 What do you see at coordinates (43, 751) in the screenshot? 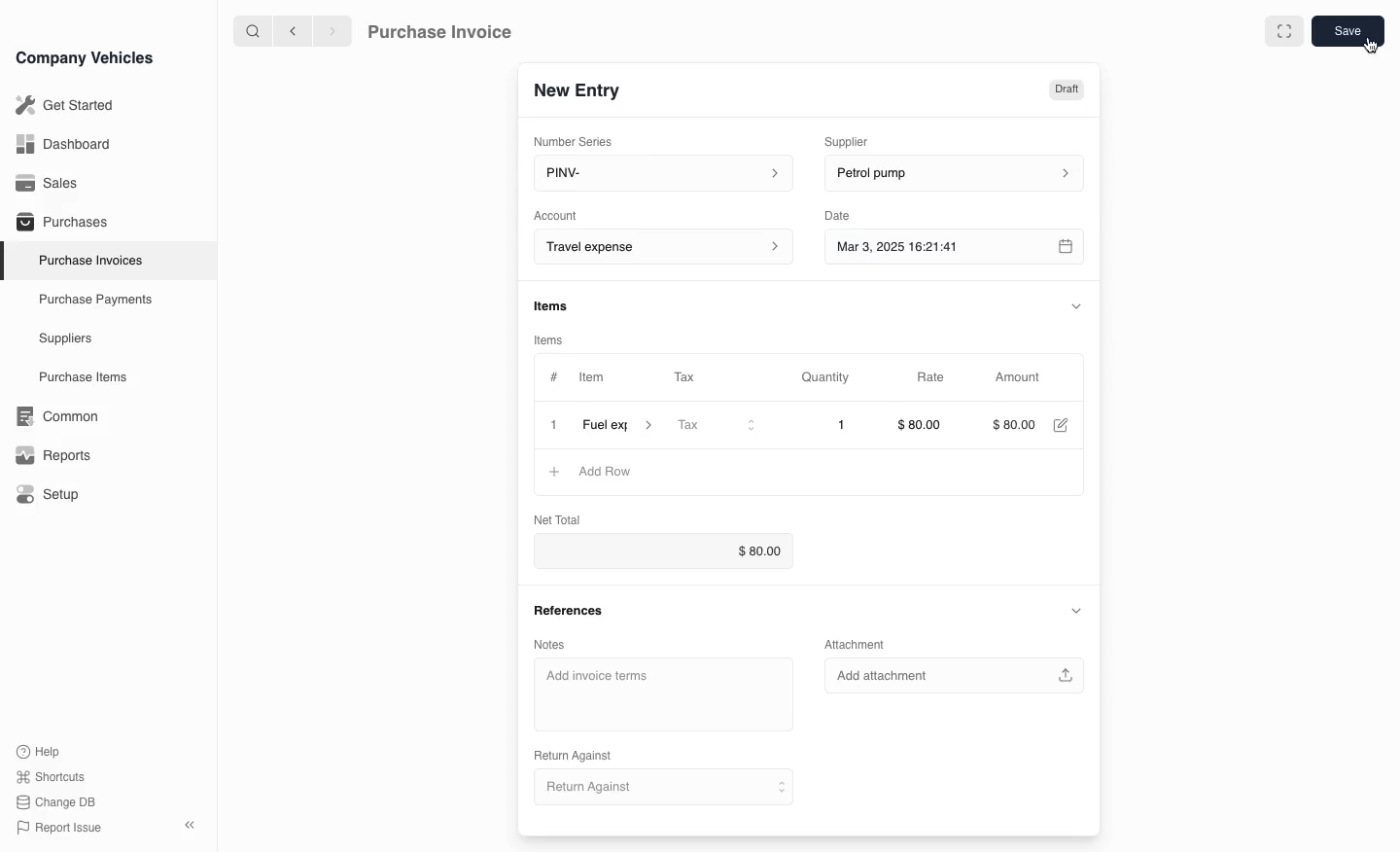
I see `Help` at bounding box center [43, 751].